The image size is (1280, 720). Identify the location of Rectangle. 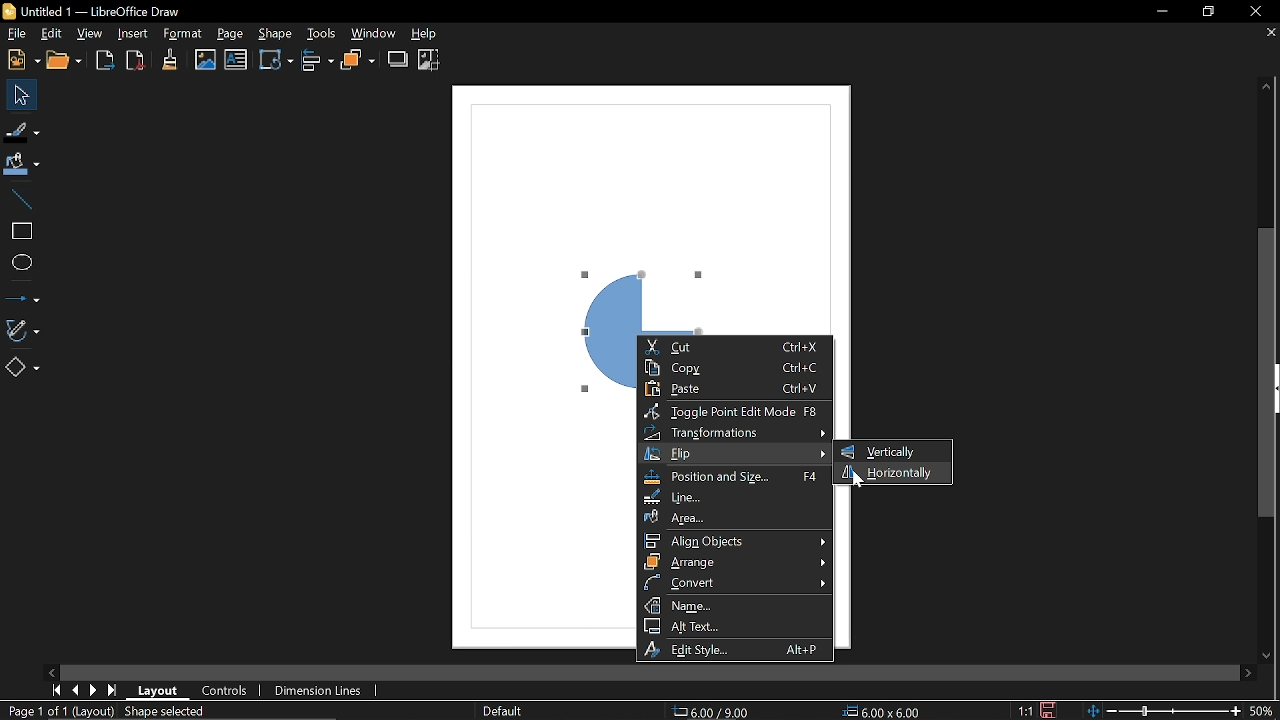
(22, 230).